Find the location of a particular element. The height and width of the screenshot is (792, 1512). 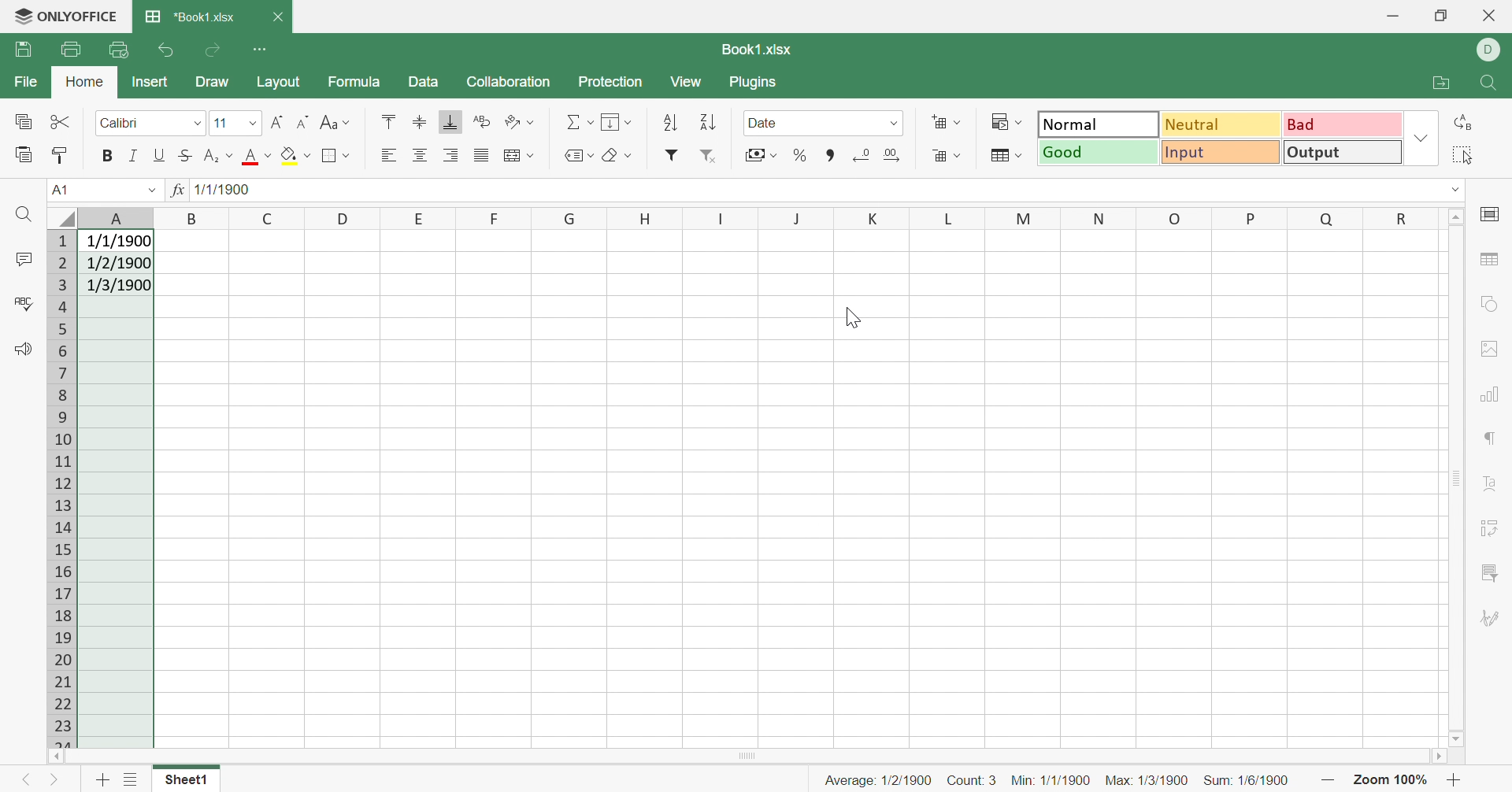

Quick print is located at coordinates (121, 50).